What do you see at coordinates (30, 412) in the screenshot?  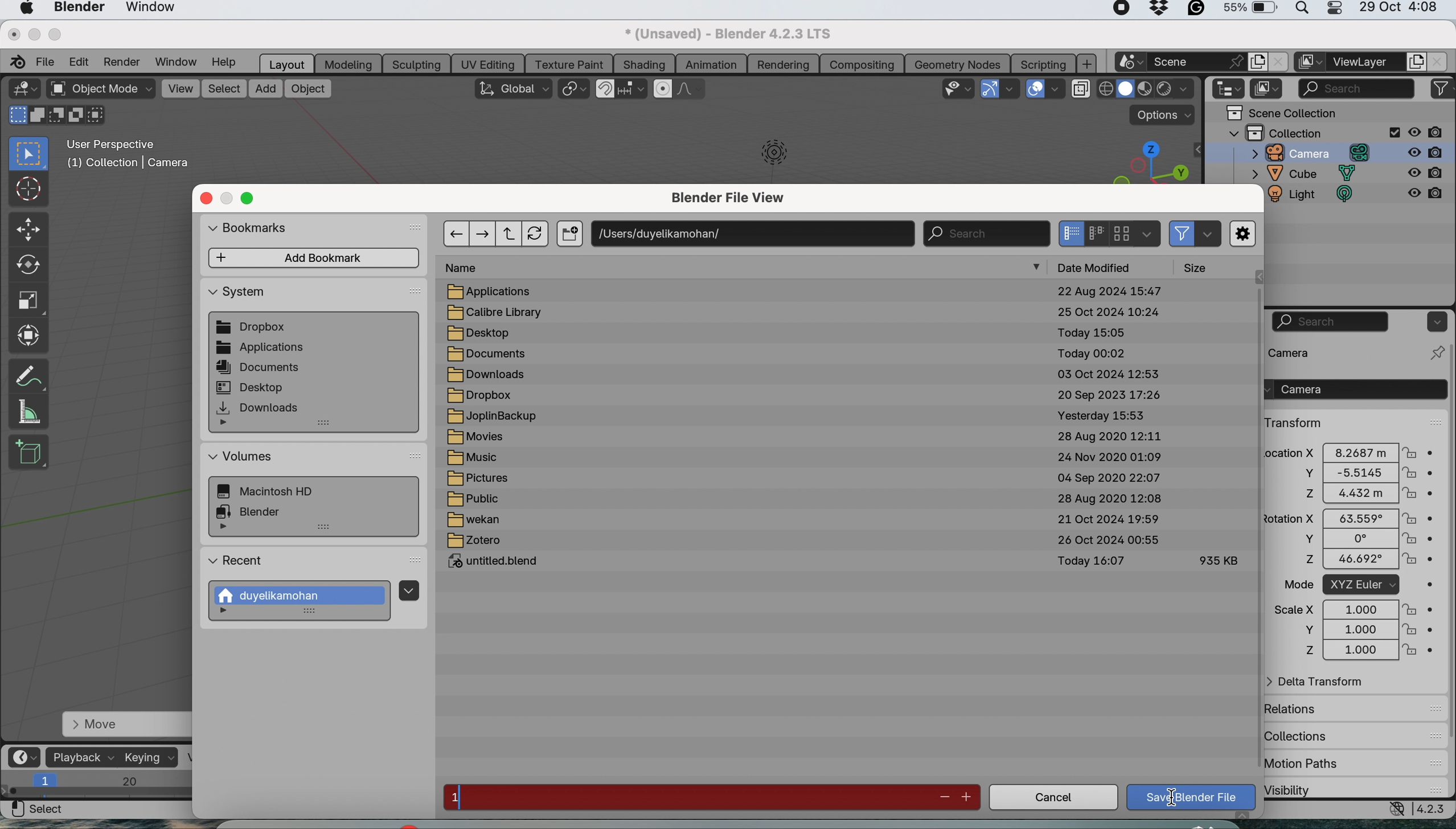 I see `measure` at bounding box center [30, 412].